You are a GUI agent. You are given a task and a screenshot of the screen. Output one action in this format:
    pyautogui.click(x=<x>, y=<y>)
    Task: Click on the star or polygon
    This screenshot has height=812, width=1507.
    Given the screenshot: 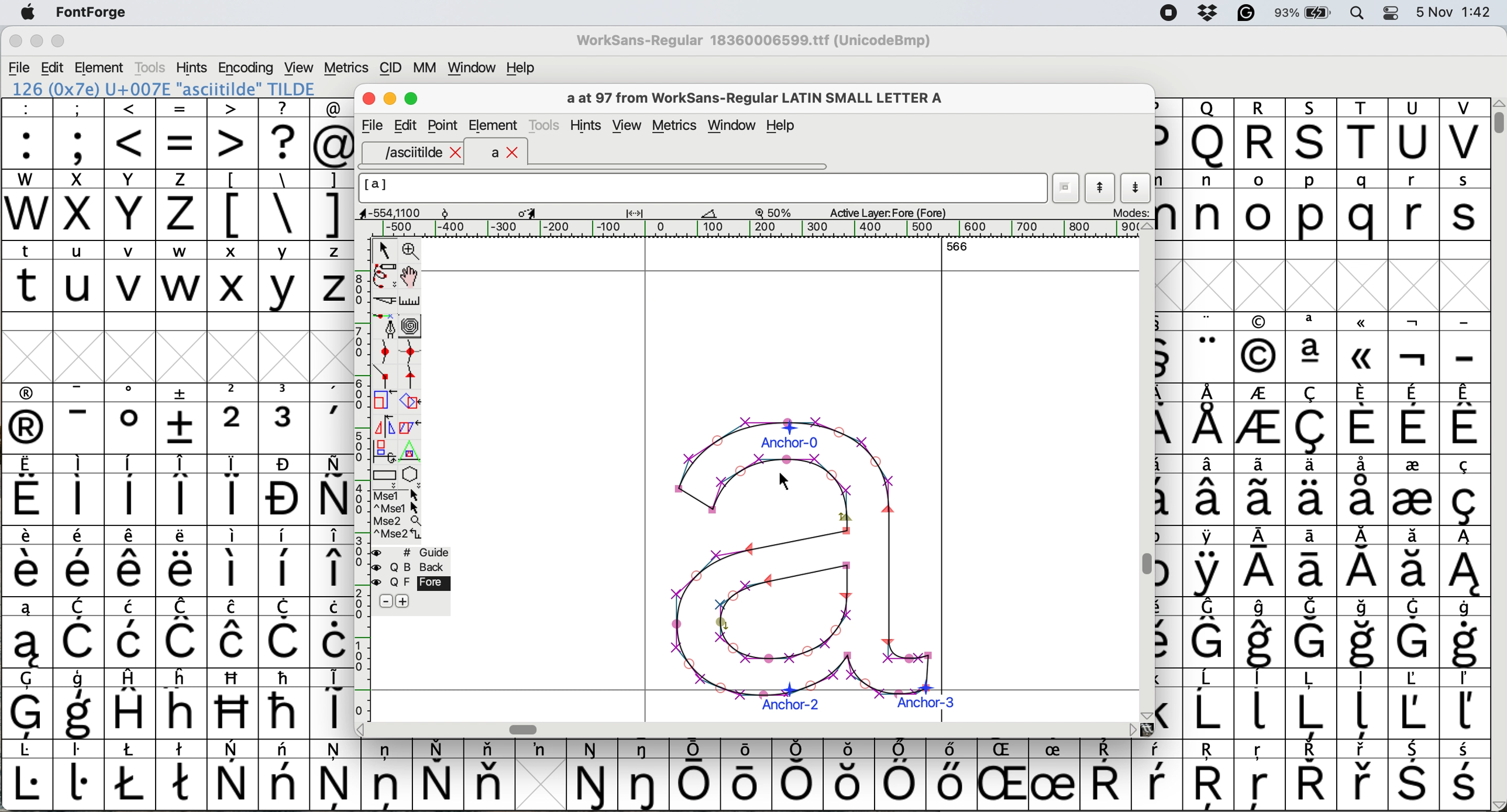 What is the action you would take?
    pyautogui.click(x=411, y=474)
    